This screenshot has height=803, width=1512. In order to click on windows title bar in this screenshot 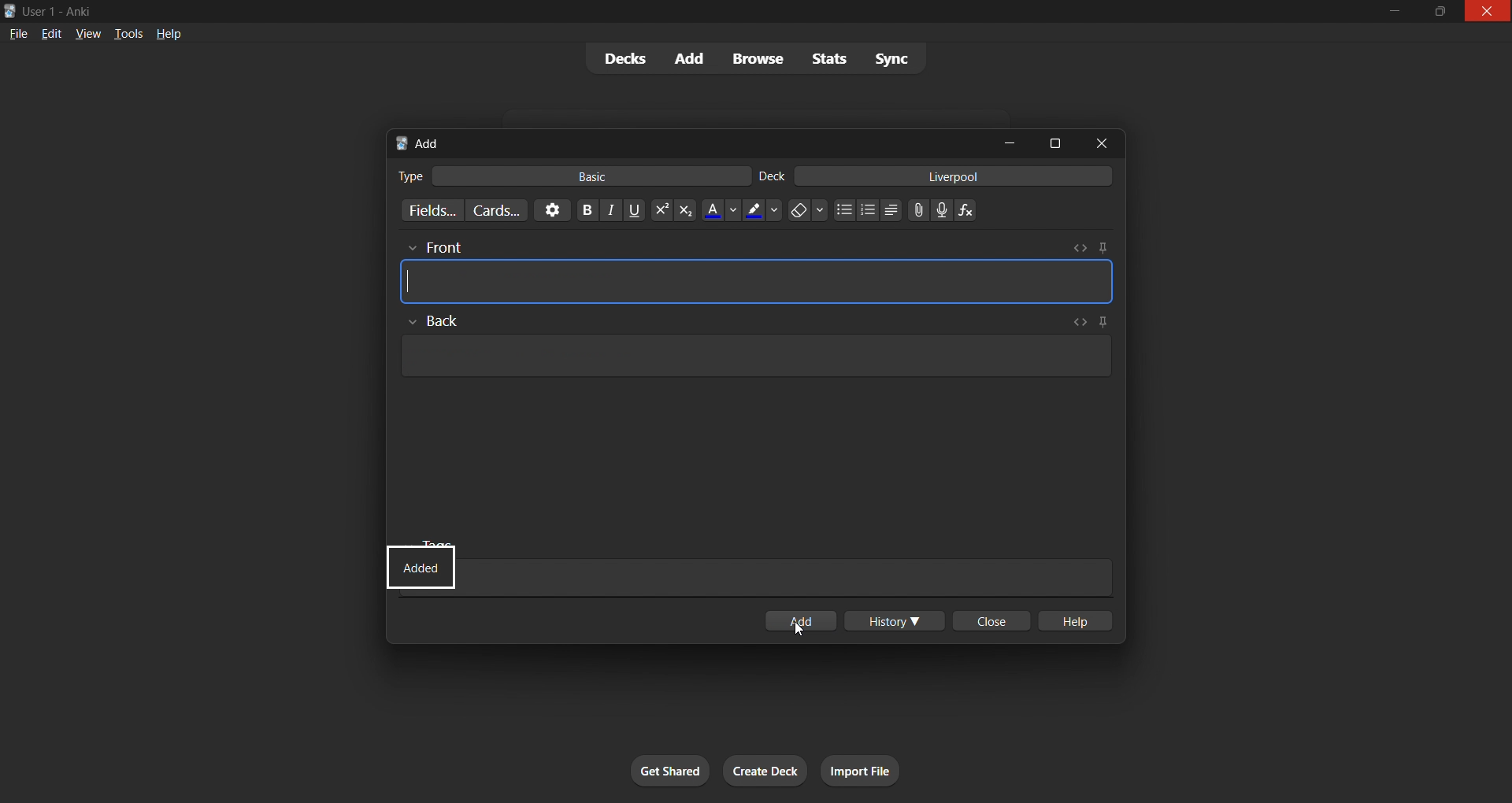, I will do `click(660, 11)`.